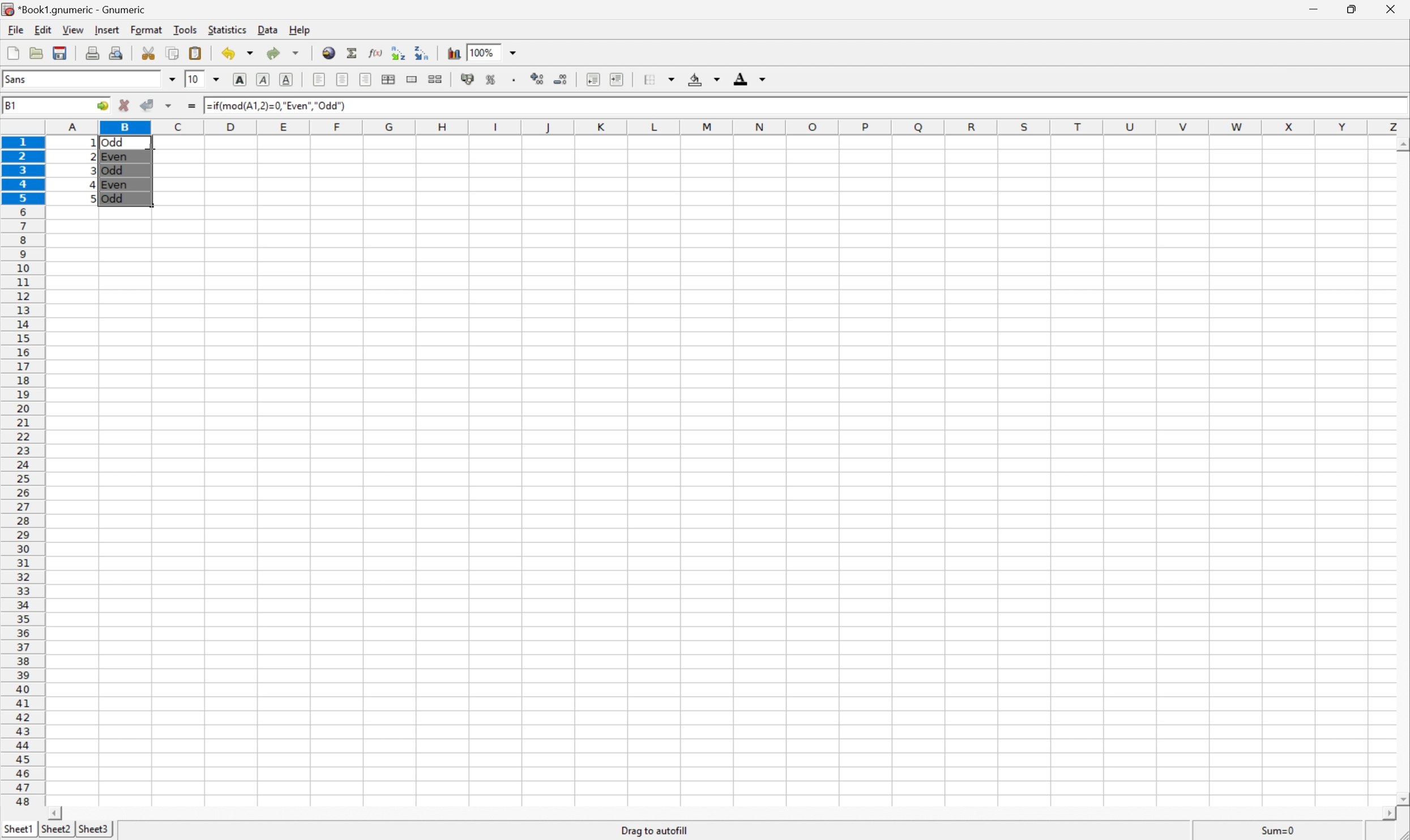 Image resolution: width=1410 pixels, height=840 pixels. Describe the element at coordinates (1400, 796) in the screenshot. I see `Scroll Down` at that location.